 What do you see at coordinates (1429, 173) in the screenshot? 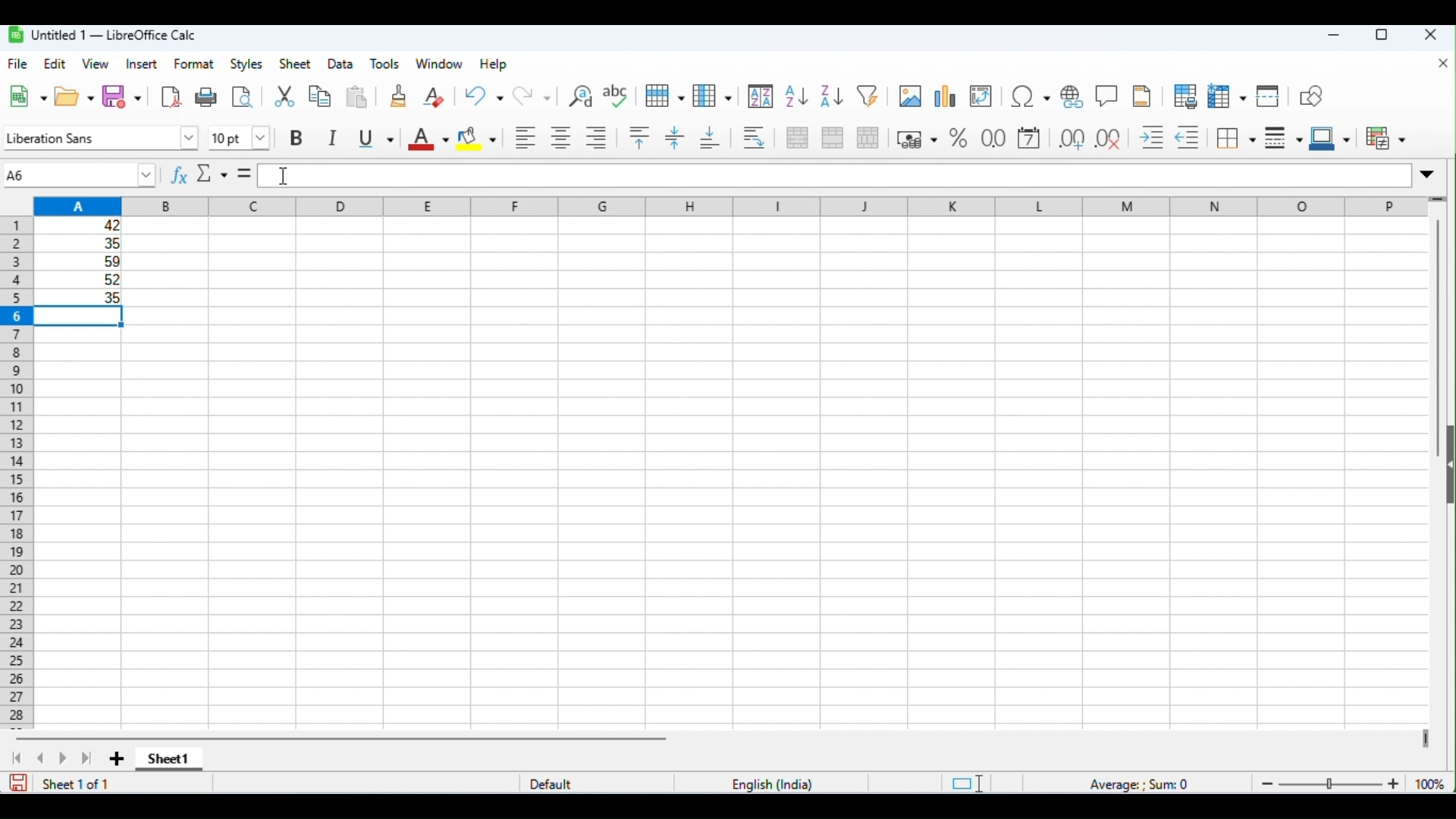
I see `expand` at bounding box center [1429, 173].